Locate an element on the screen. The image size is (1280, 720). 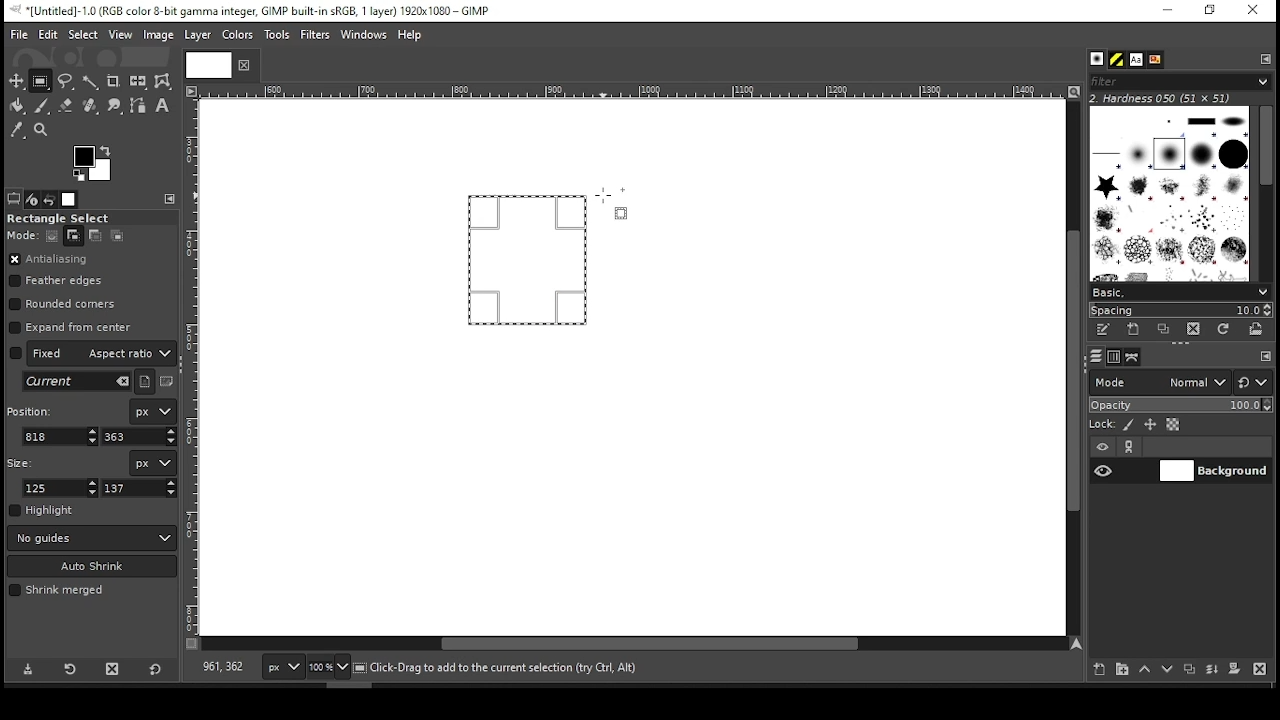
portrait is located at coordinates (146, 381).